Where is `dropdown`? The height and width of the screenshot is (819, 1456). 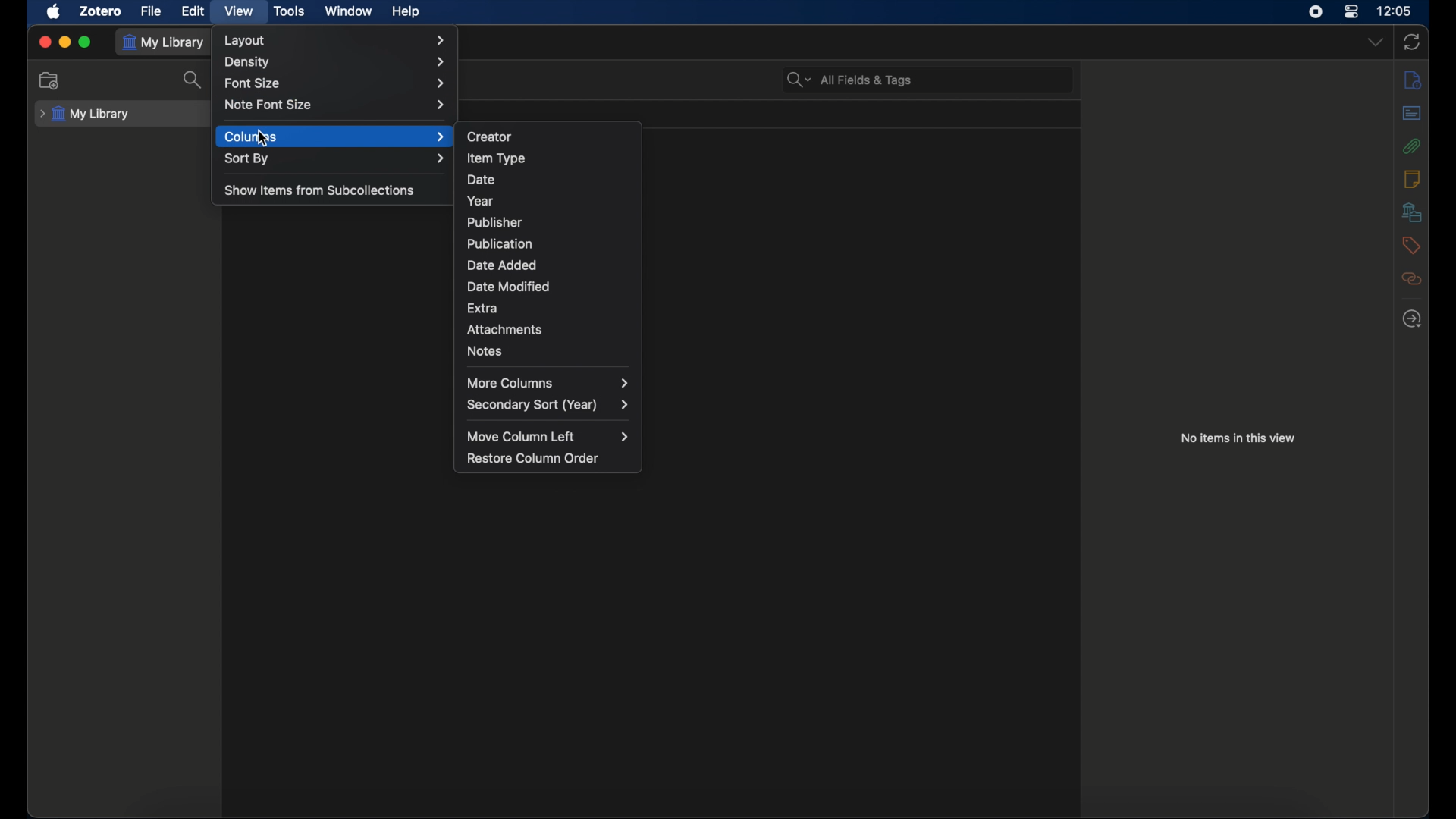
dropdown is located at coordinates (1376, 42).